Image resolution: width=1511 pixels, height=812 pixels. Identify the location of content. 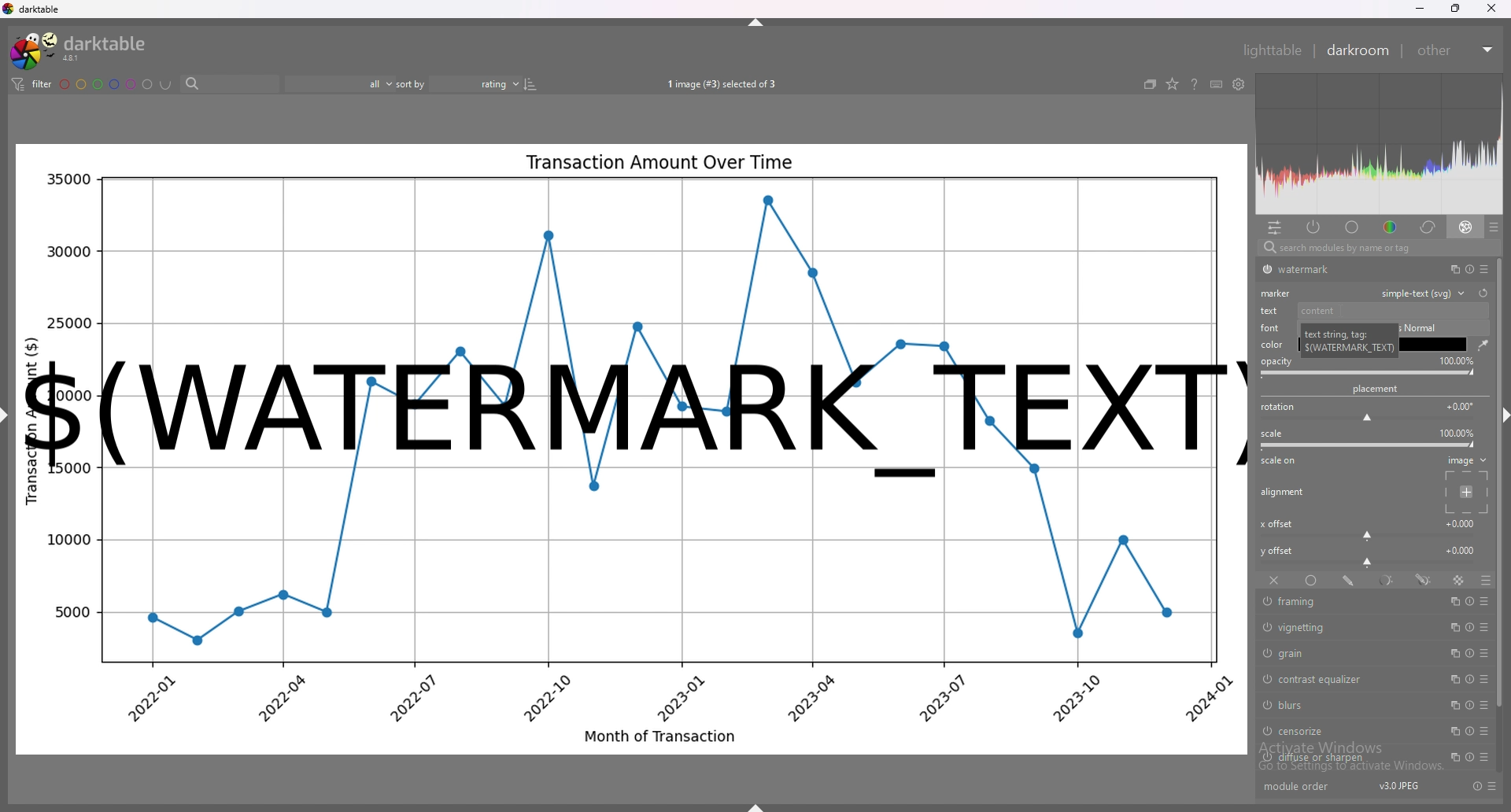
(1391, 310).